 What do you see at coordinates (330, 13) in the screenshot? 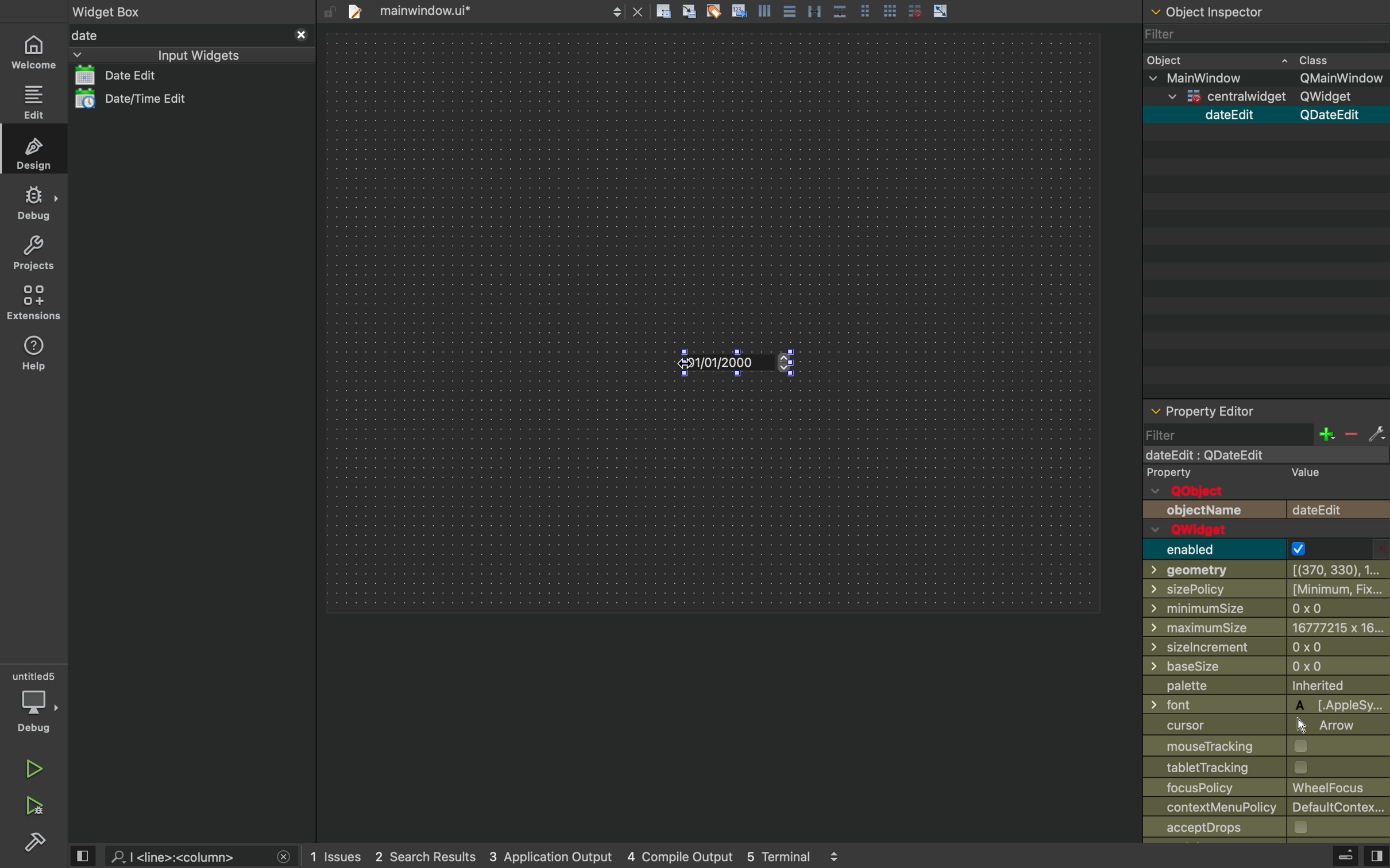
I see `unlock` at bounding box center [330, 13].